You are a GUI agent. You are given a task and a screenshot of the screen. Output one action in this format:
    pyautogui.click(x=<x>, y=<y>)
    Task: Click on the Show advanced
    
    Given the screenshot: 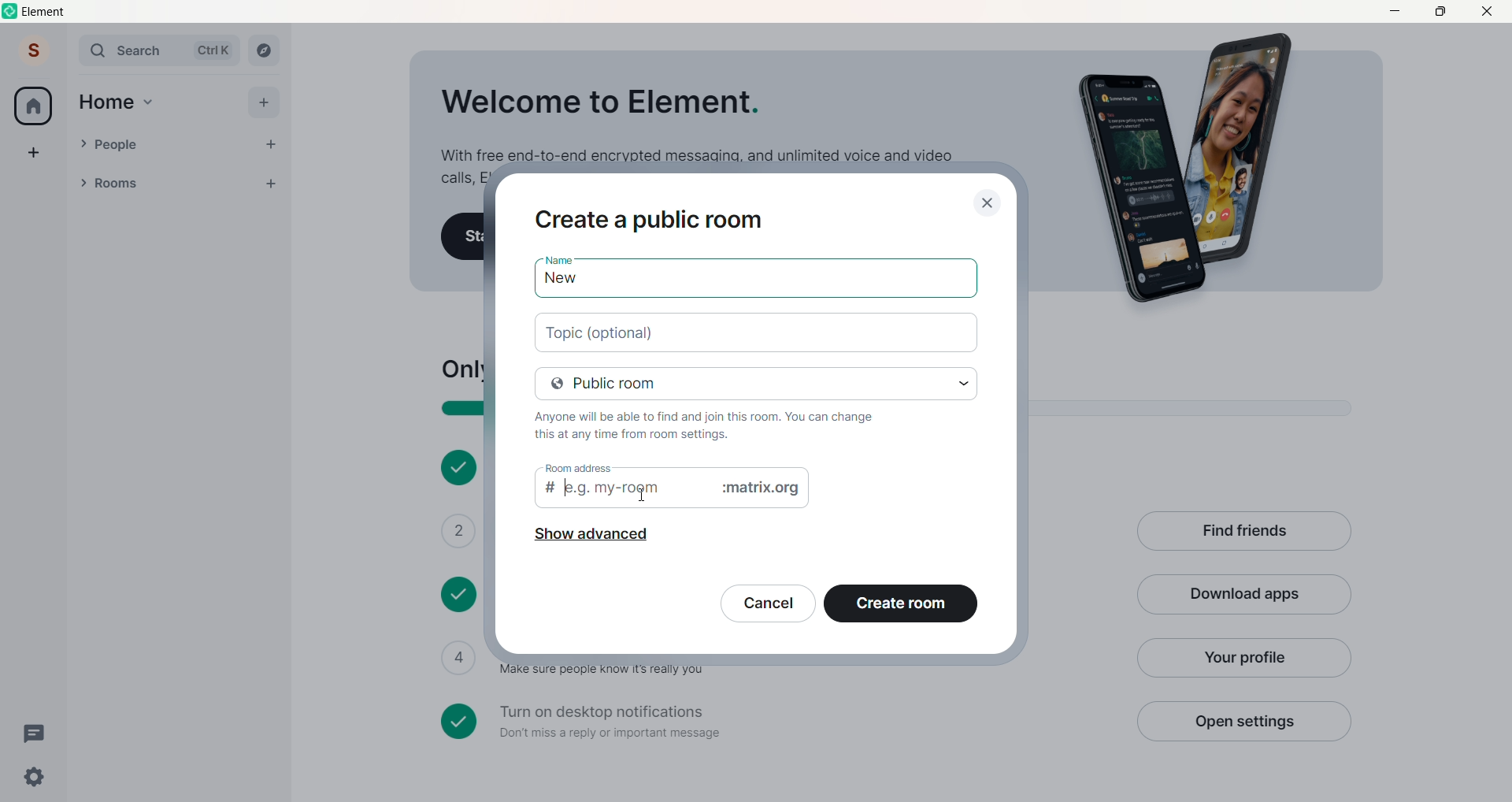 What is the action you would take?
    pyautogui.click(x=590, y=538)
    